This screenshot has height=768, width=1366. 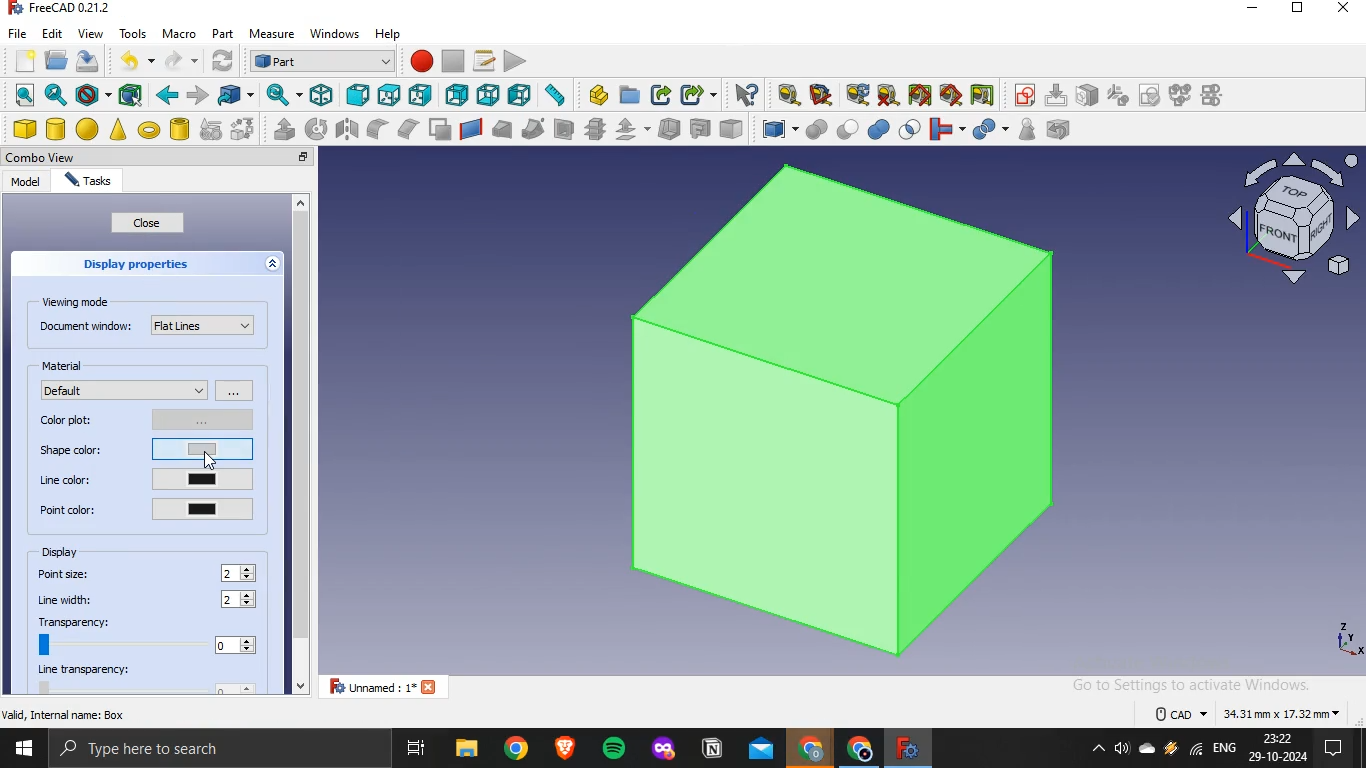 I want to click on save file, so click(x=88, y=61).